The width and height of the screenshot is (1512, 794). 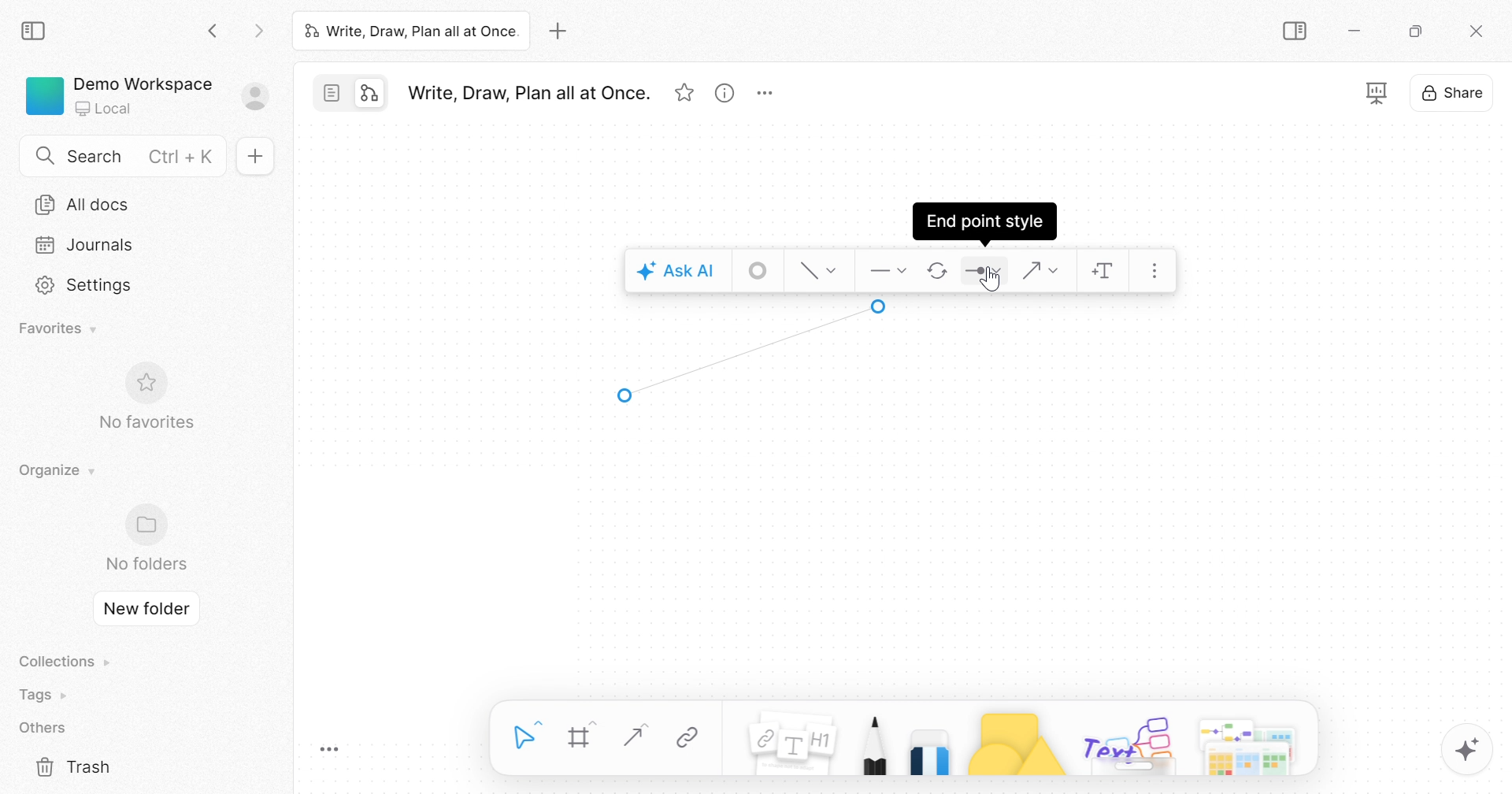 I want to click on Settings, so click(x=85, y=285).